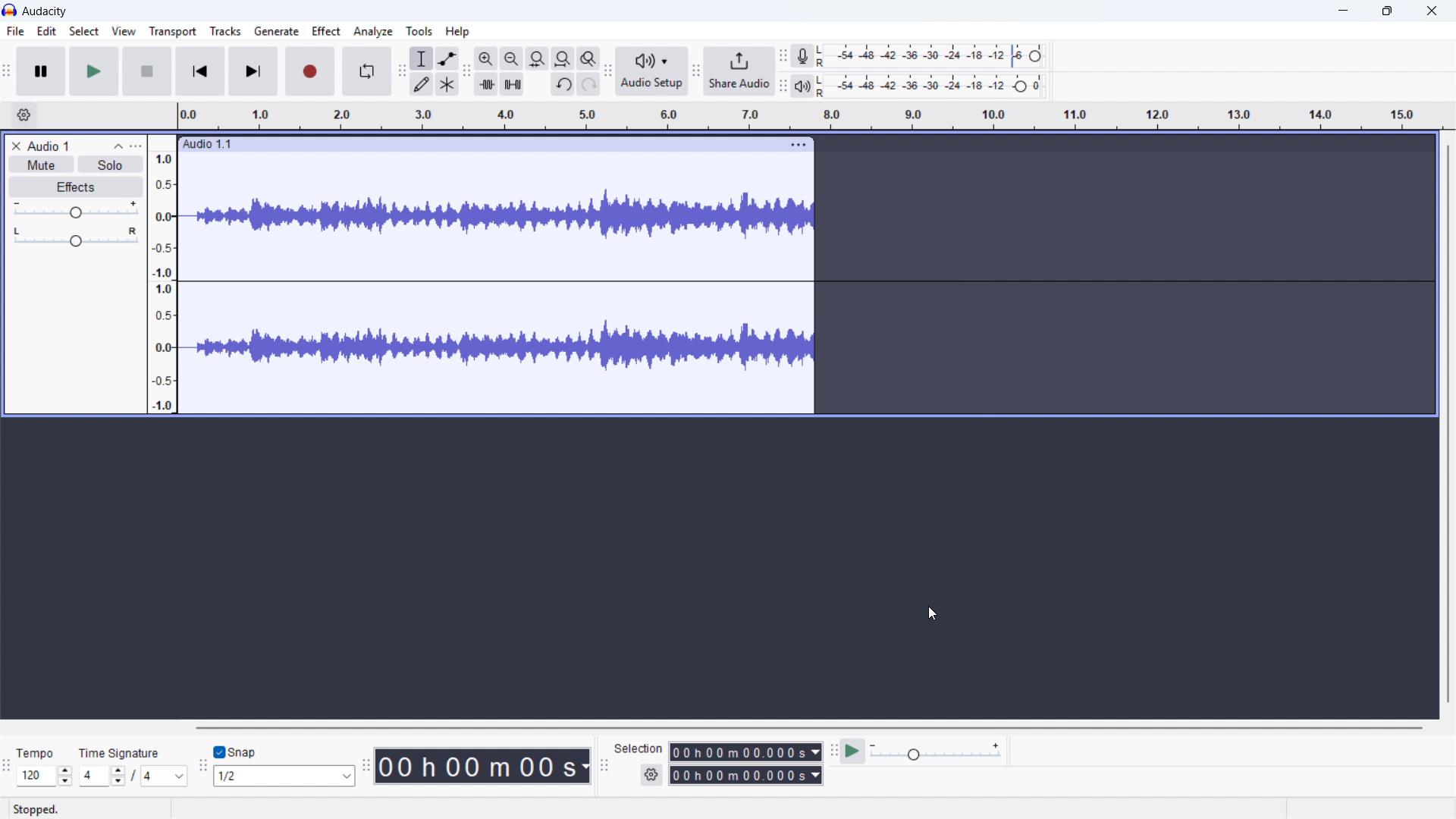 The width and height of the screenshot is (1456, 819). I want to click on Remove track , so click(17, 146).